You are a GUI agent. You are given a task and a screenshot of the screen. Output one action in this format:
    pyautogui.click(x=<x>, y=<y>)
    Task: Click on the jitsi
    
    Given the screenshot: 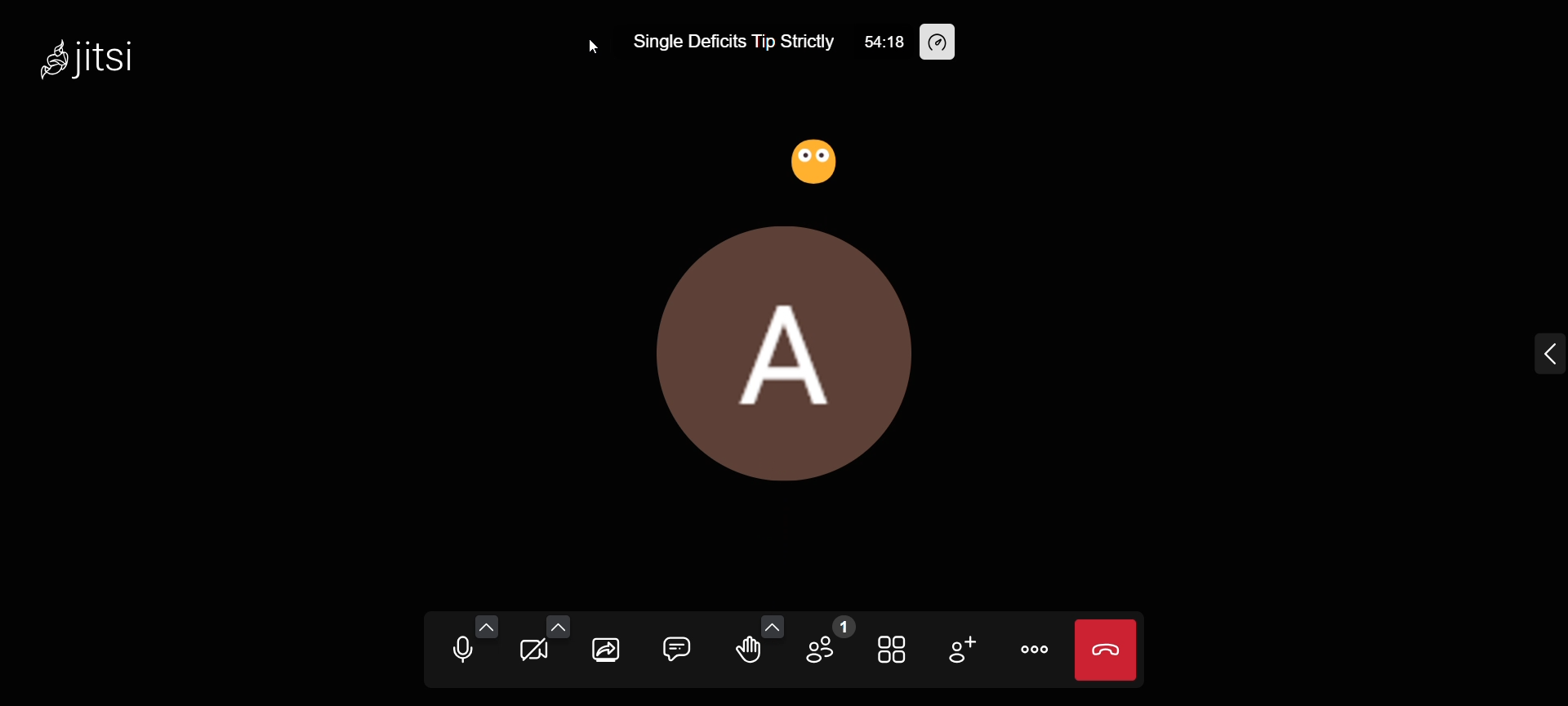 What is the action you would take?
    pyautogui.click(x=82, y=62)
    